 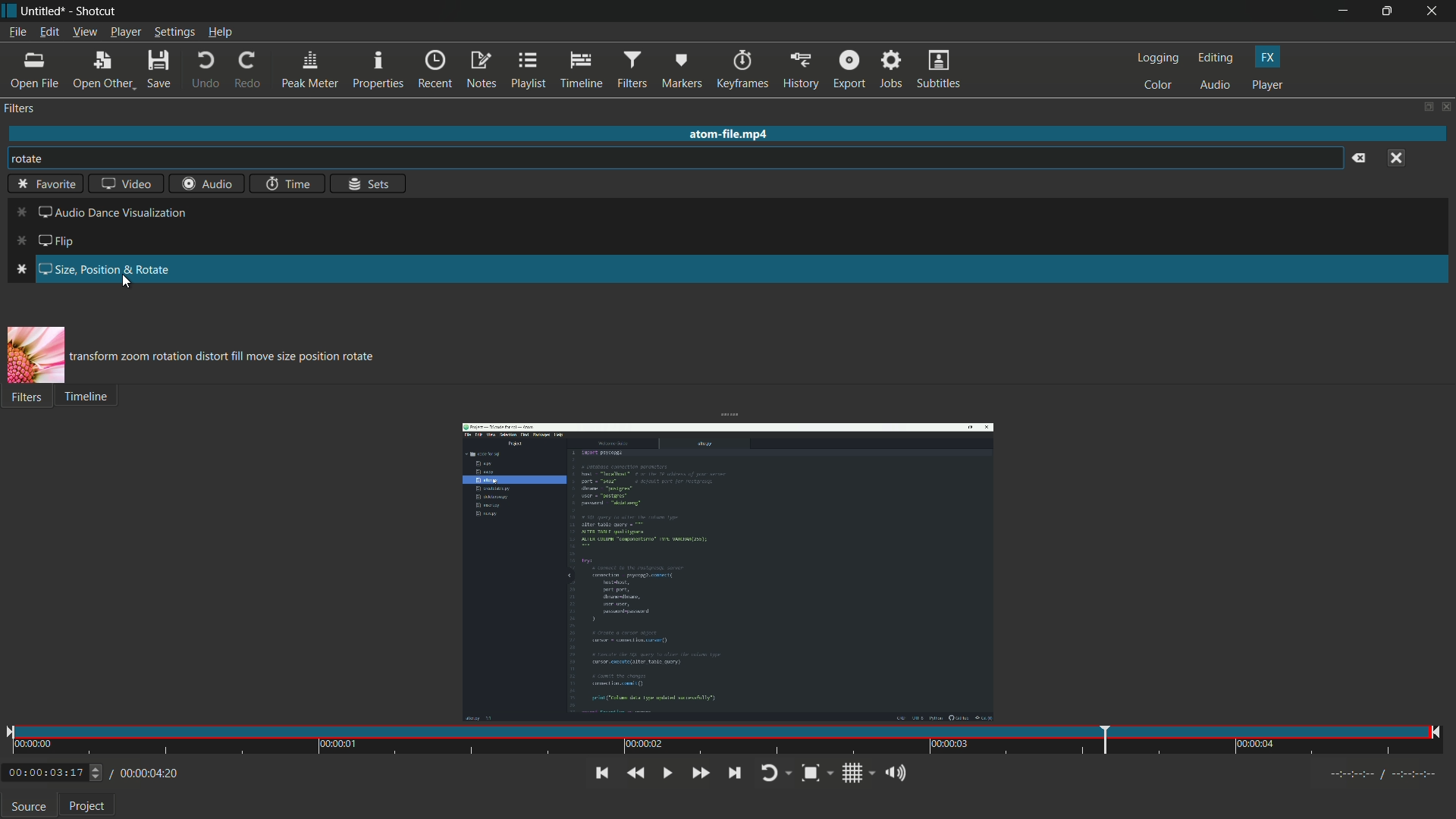 What do you see at coordinates (47, 34) in the screenshot?
I see `edit menu` at bounding box center [47, 34].